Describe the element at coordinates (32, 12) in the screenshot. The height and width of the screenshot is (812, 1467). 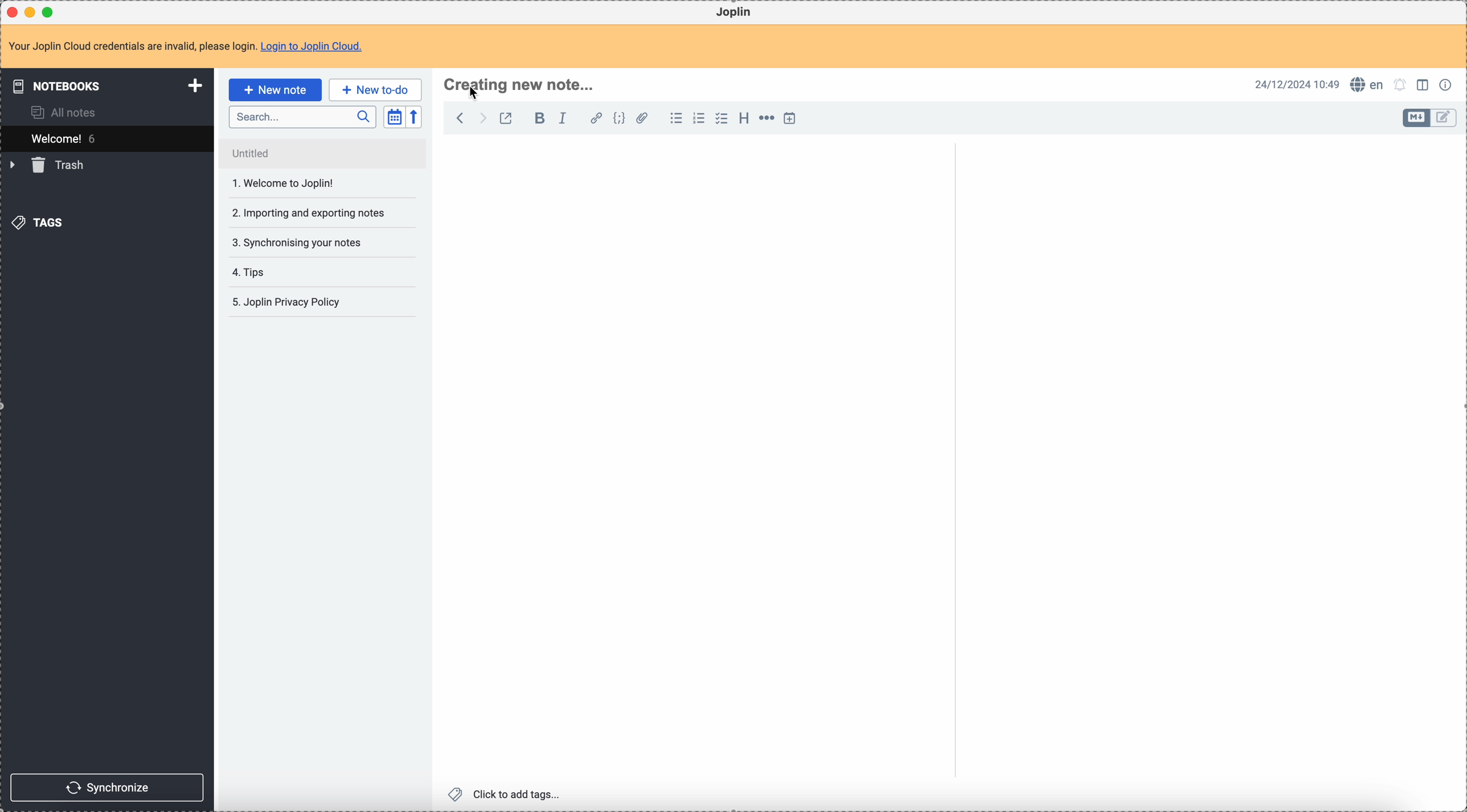
I see `minimize Joplin` at that location.